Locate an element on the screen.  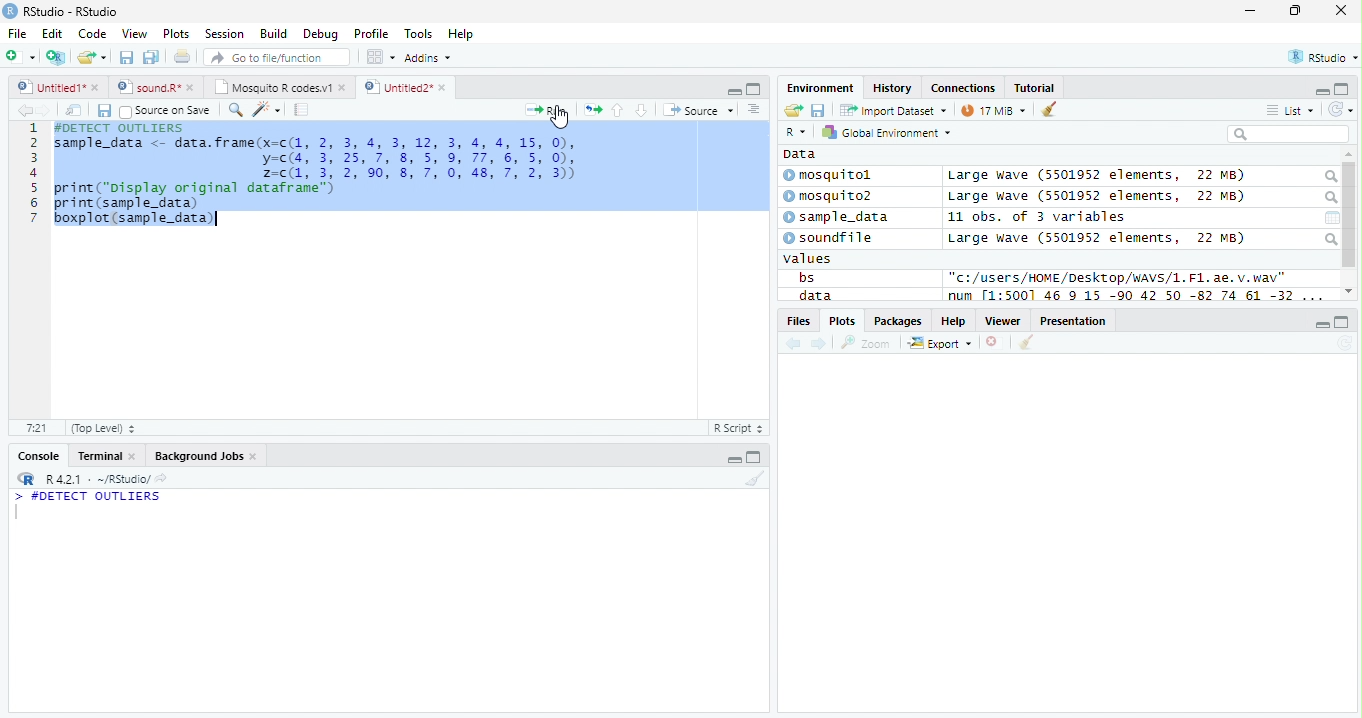
R Script is located at coordinates (739, 427).